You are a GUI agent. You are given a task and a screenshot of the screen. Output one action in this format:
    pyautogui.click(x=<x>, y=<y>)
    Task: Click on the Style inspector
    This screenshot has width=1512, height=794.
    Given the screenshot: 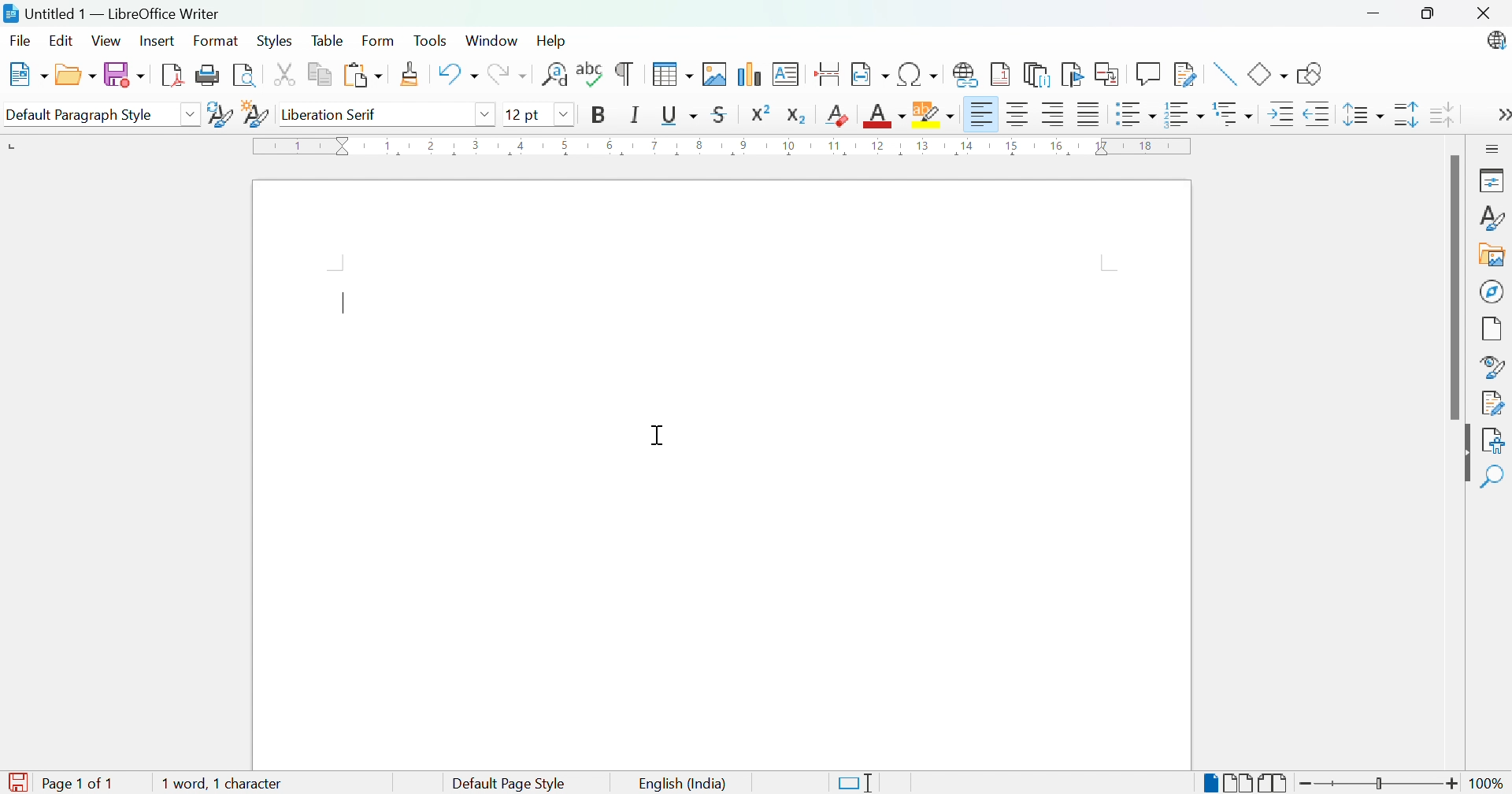 What is the action you would take?
    pyautogui.click(x=1489, y=368)
    